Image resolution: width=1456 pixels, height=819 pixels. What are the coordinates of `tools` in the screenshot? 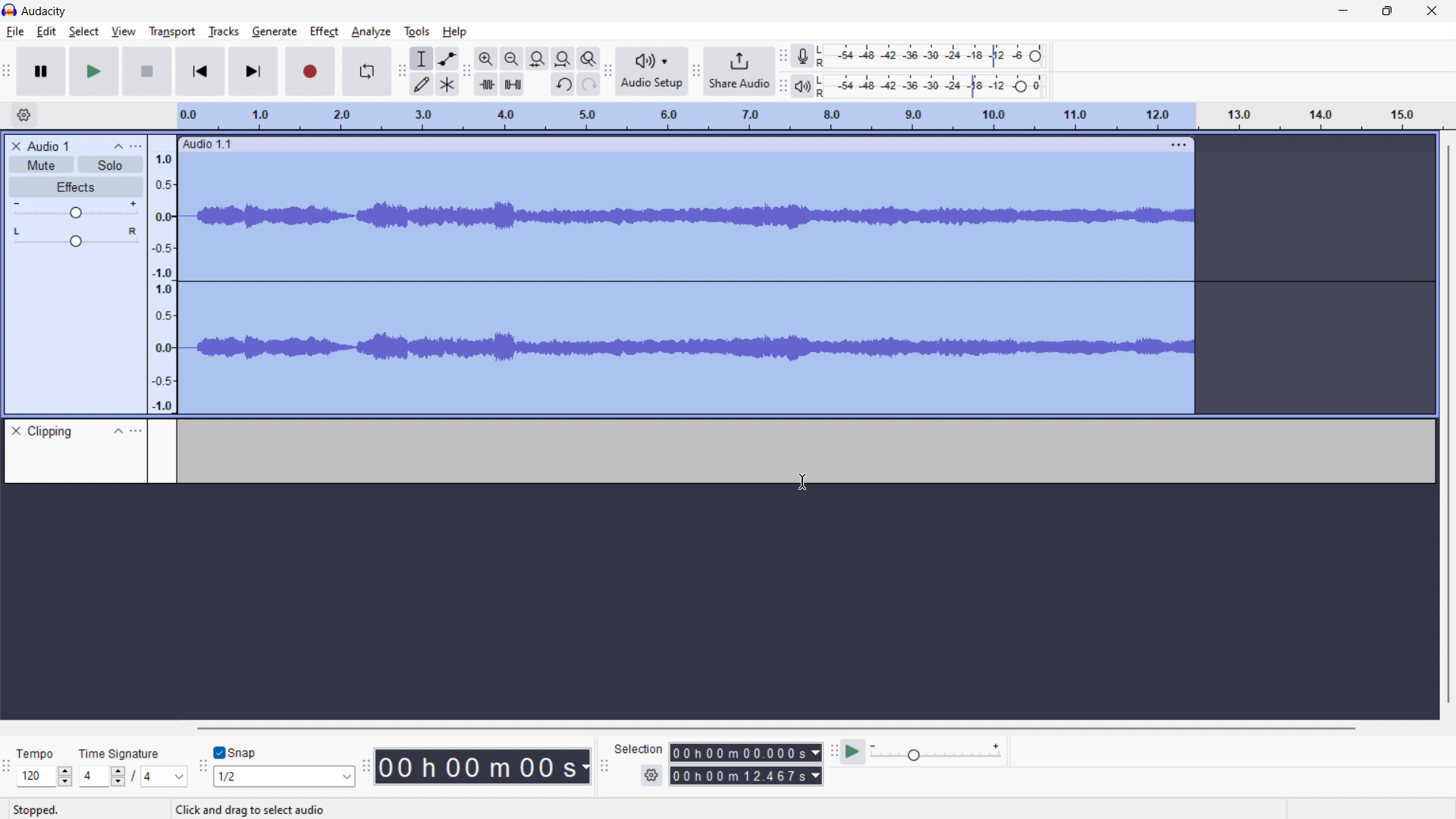 It's located at (416, 31).